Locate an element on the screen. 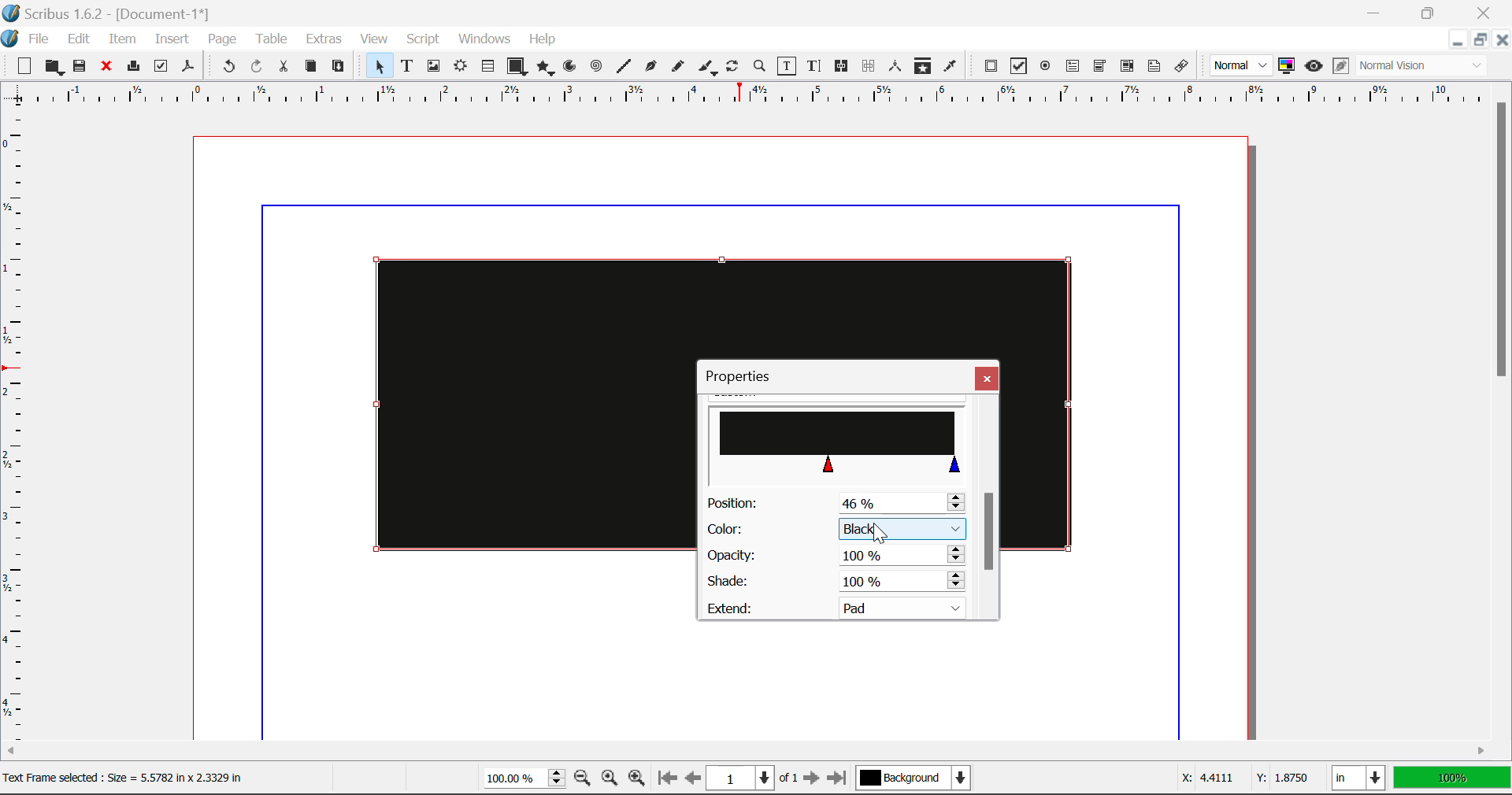 The width and height of the screenshot is (1512, 795). Print is located at coordinates (132, 66).